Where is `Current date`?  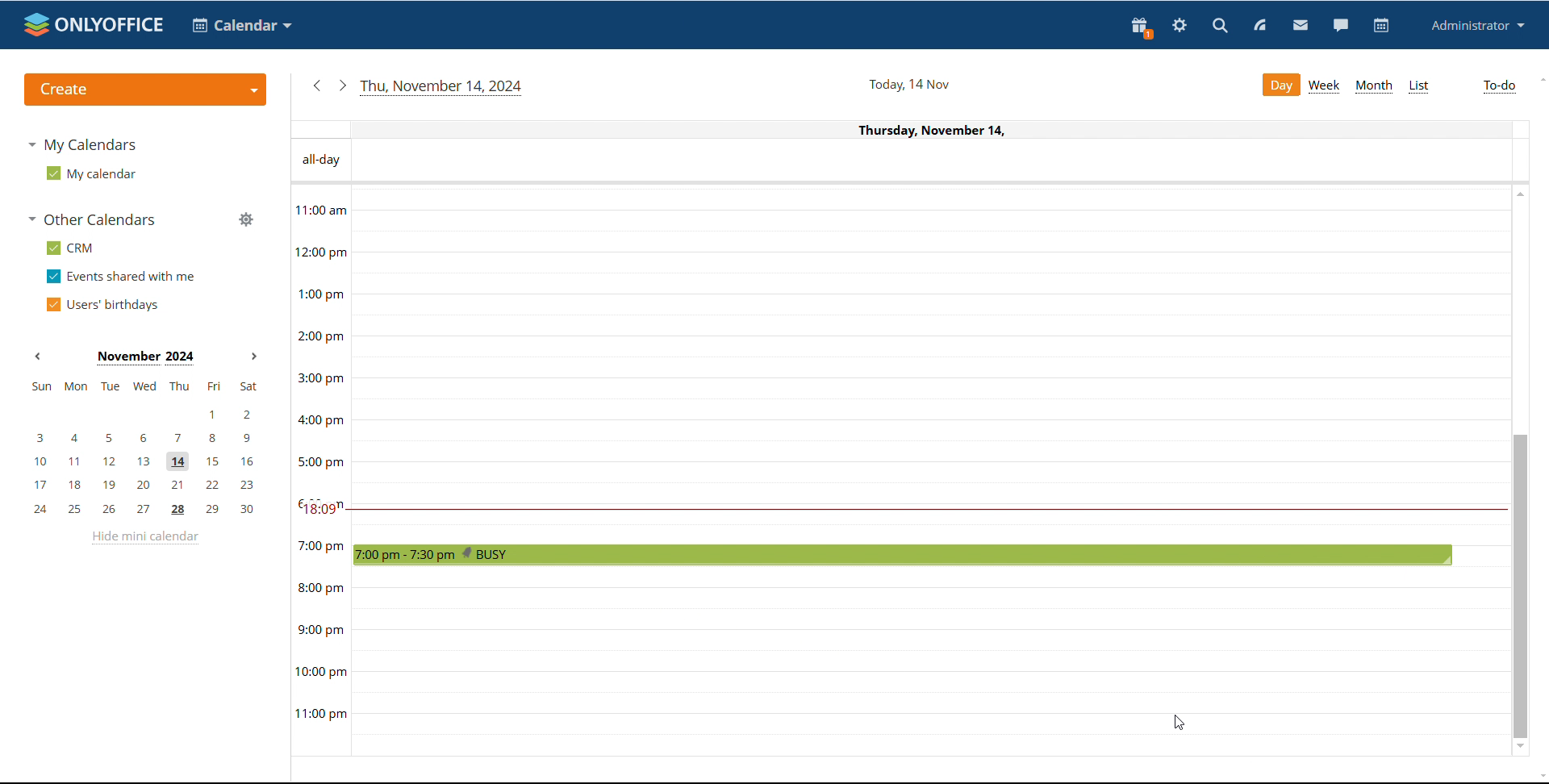 Current date is located at coordinates (909, 130).